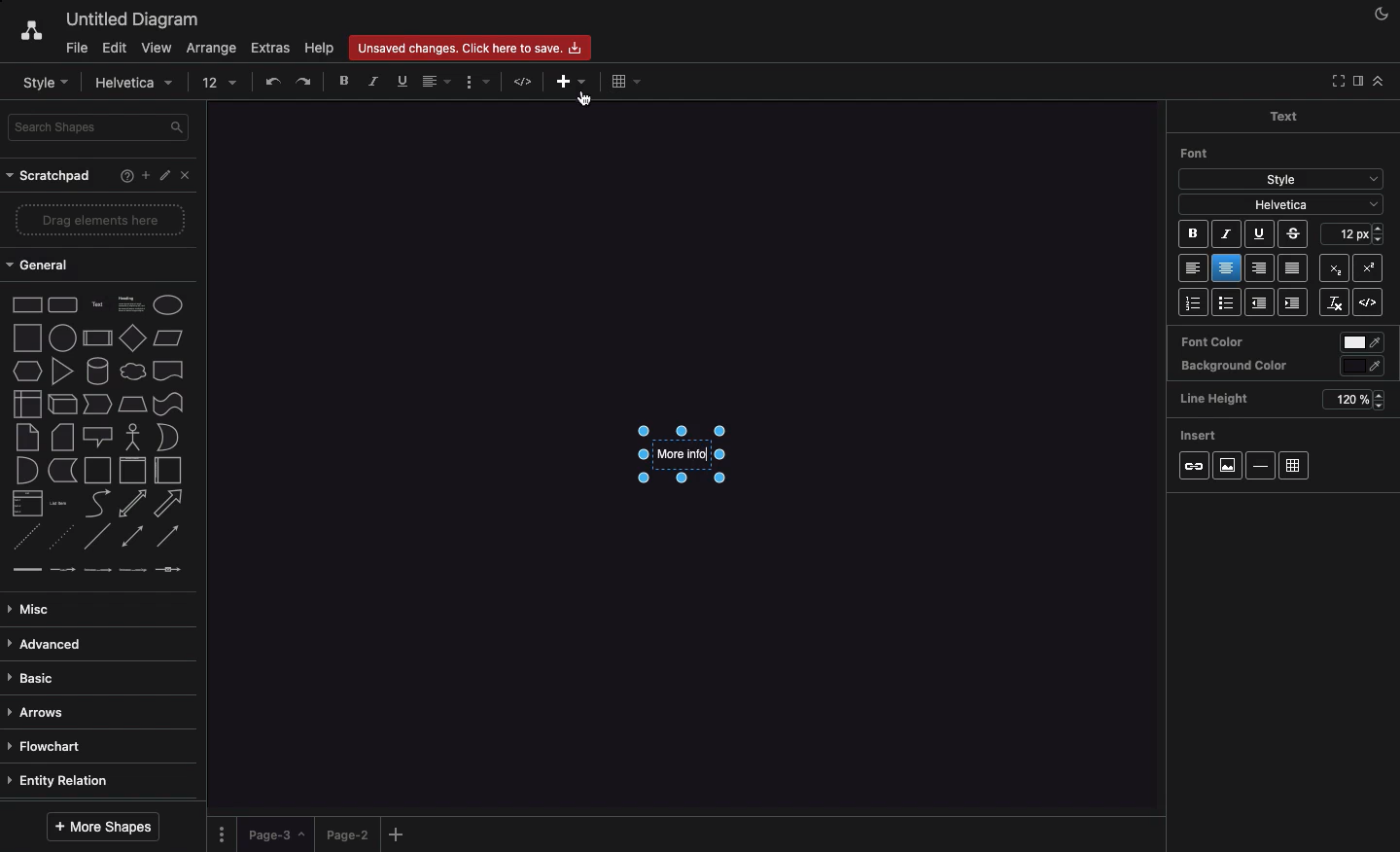 This screenshot has width=1400, height=852. What do you see at coordinates (564, 83) in the screenshot?
I see `Add` at bounding box center [564, 83].